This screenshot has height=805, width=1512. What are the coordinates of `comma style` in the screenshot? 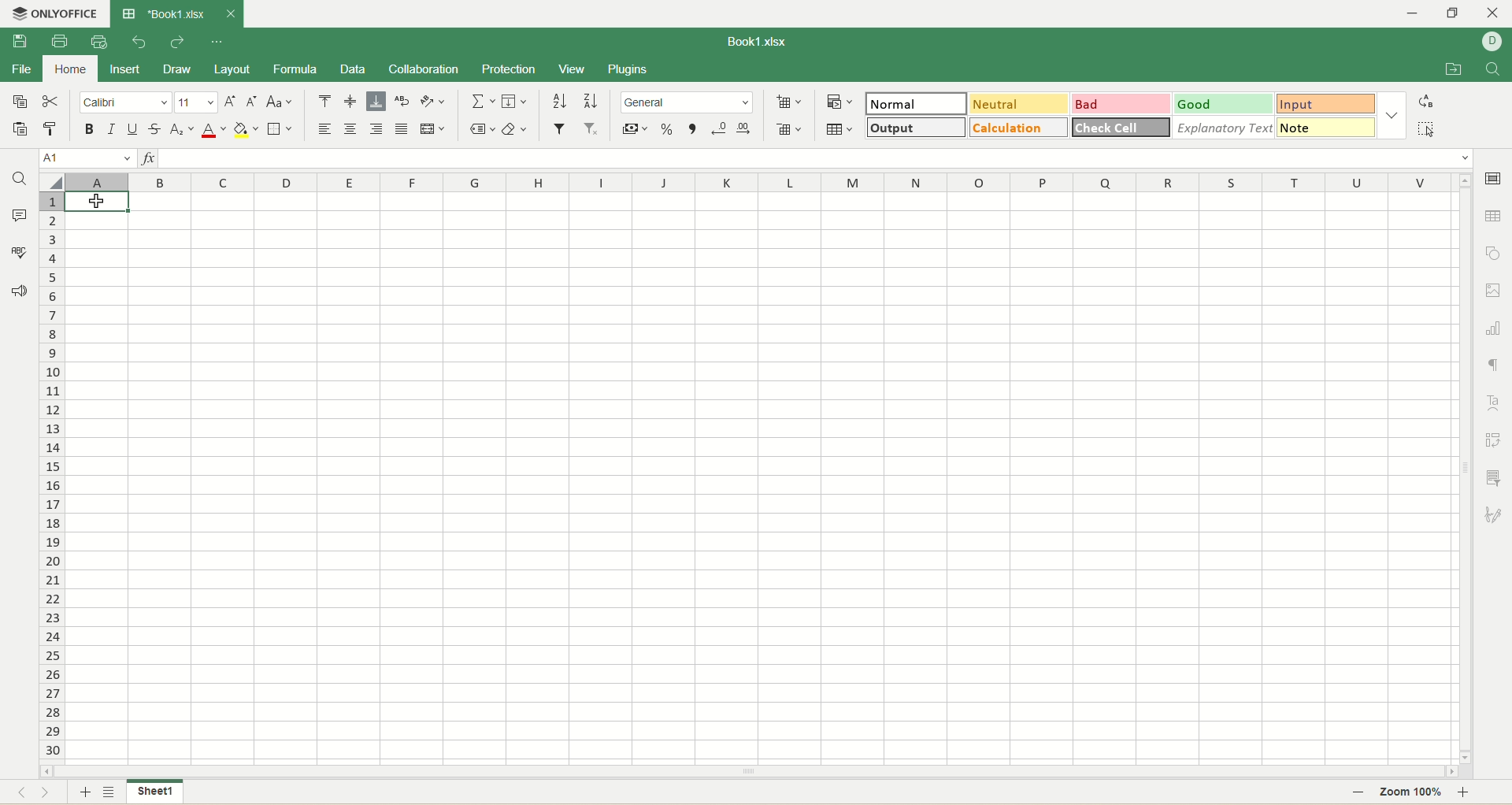 It's located at (692, 128).